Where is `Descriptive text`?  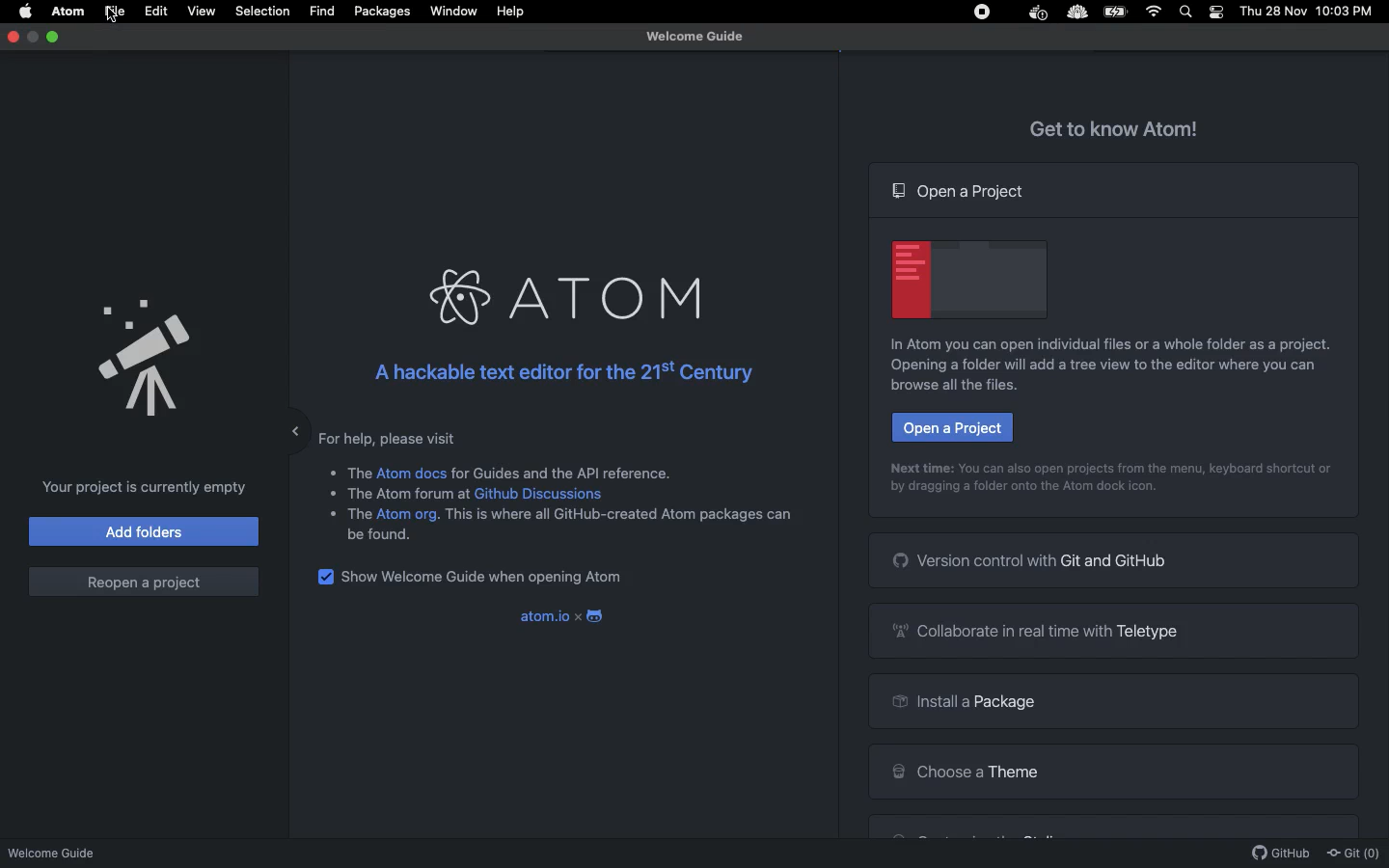 Descriptive text is located at coordinates (395, 437).